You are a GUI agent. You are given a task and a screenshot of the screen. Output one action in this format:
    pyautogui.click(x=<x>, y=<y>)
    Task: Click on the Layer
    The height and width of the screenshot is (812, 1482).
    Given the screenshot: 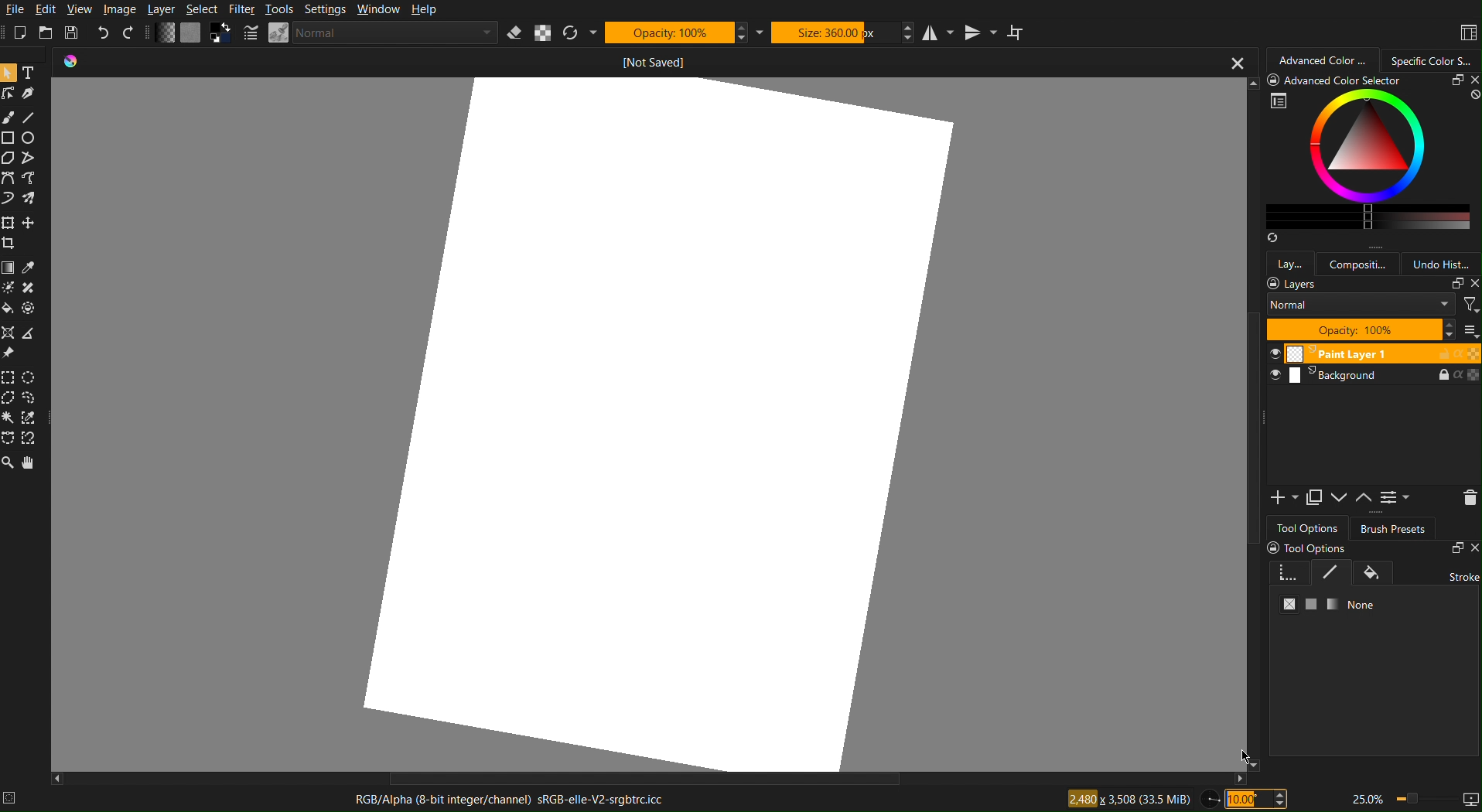 What is the action you would take?
    pyautogui.click(x=162, y=9)
    